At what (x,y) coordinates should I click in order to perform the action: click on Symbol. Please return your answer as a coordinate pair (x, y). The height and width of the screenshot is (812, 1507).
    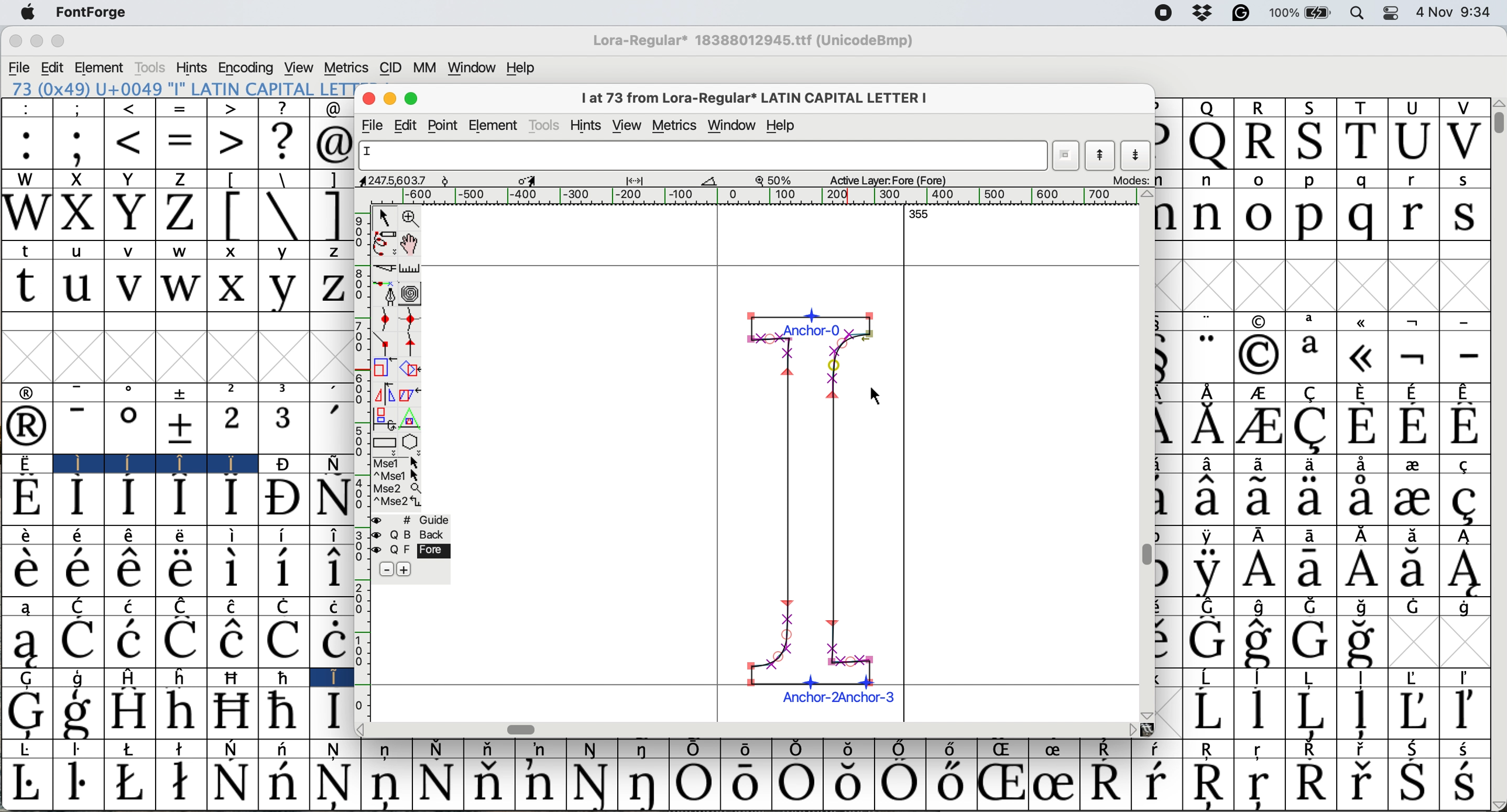
    Looking at the image, I should click on (1414, 465).